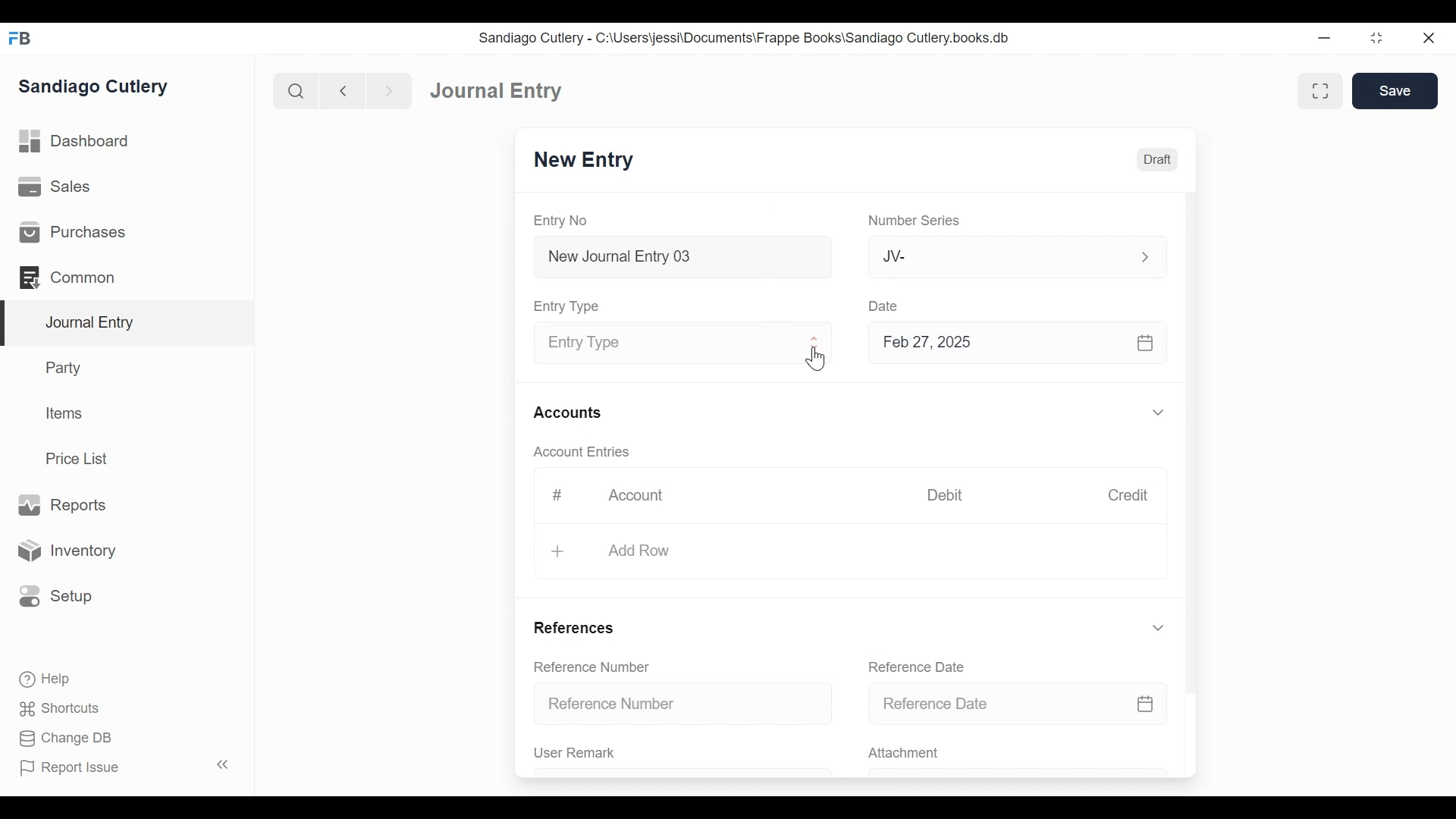 This screenshot has height=819, width=1456. Describe the element at coordinates (745, 37) in the screenshot. I see `Sandiago Cutlery - C:\Users\jessi\Documents\Frappe Books\Sandiago Cutlery.books.db` at that location.